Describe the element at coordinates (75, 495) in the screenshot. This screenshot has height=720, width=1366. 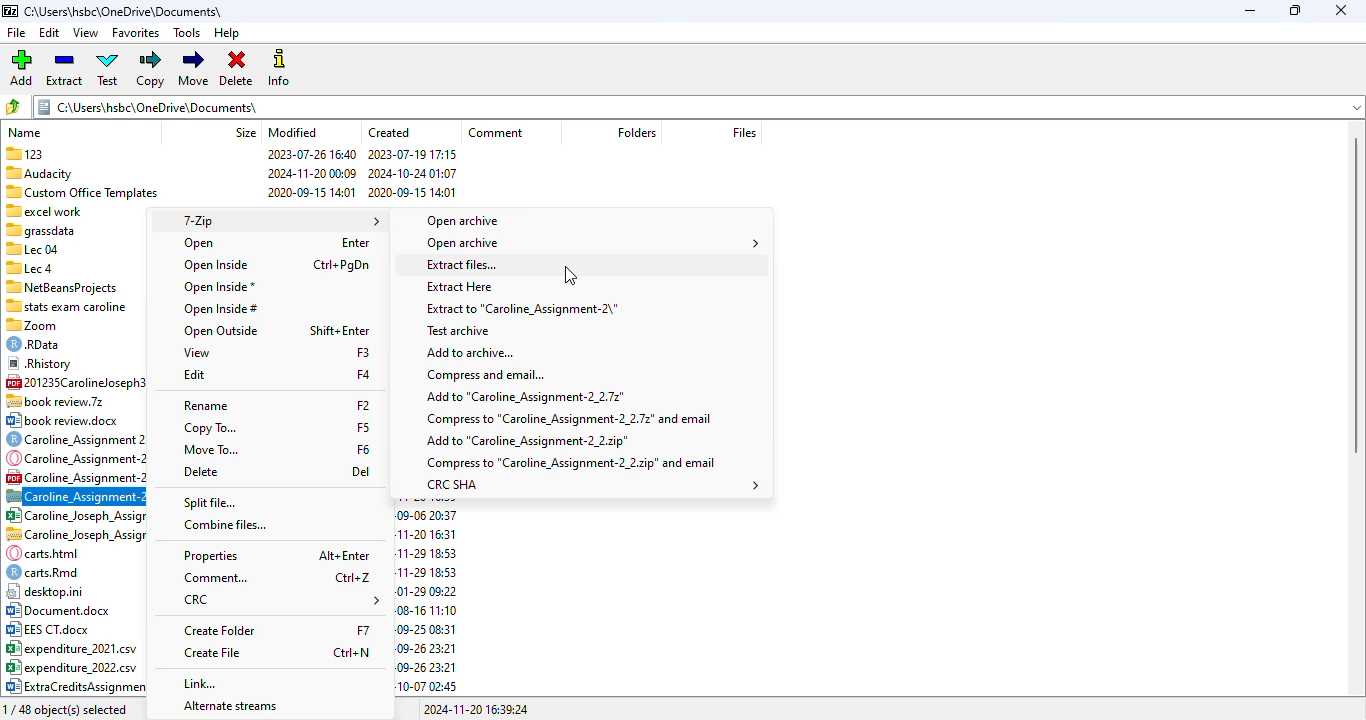
I see ` Caroline Assignment-2.... 181192 2024-11-20 16:39 2024-11-20 16:39` at that location.